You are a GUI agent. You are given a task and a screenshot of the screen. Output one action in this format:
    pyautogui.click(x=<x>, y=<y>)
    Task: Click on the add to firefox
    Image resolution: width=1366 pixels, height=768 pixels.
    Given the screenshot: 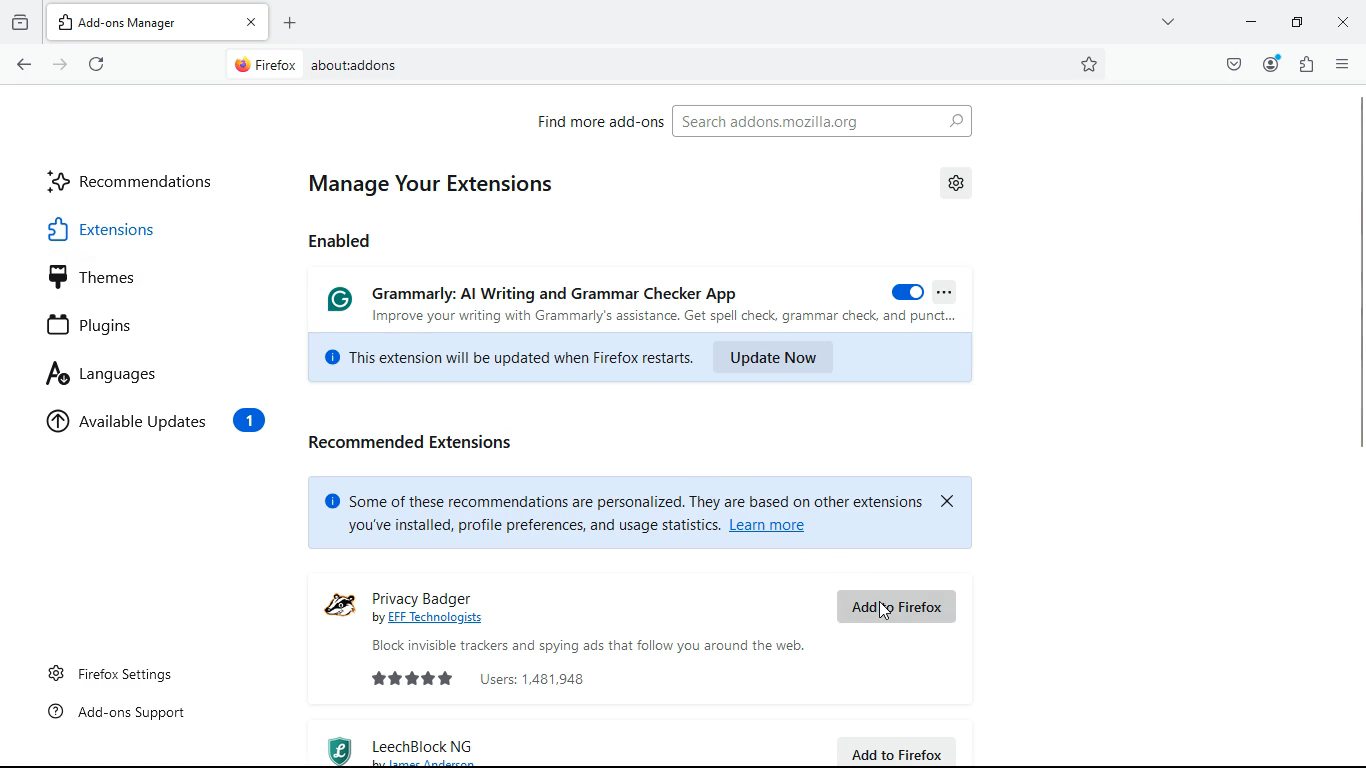 What is the action you would take?
    pyautogui.click(x=901, y=750)
    